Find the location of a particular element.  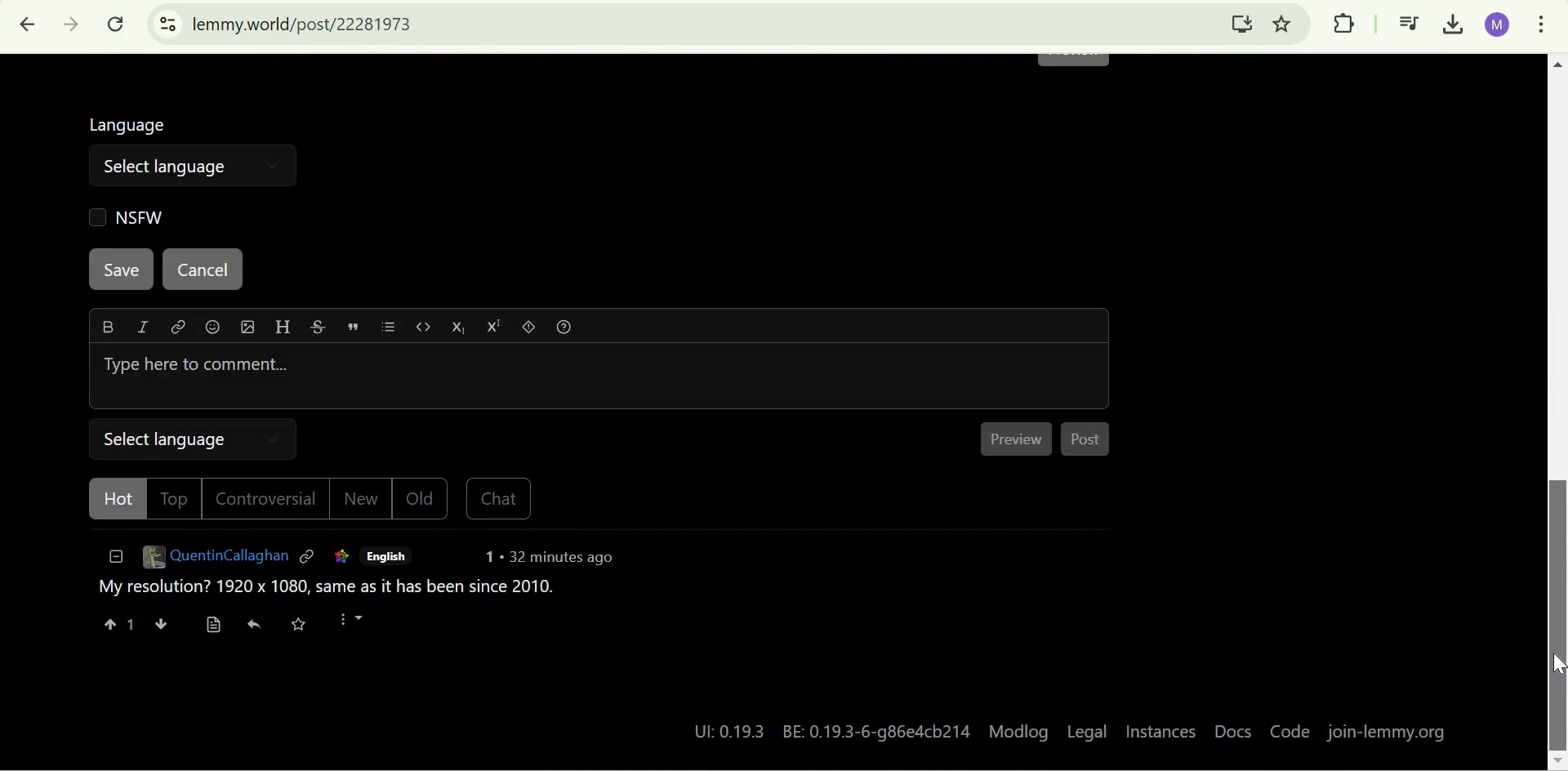

formatting help is located at coordinates (568, 330).